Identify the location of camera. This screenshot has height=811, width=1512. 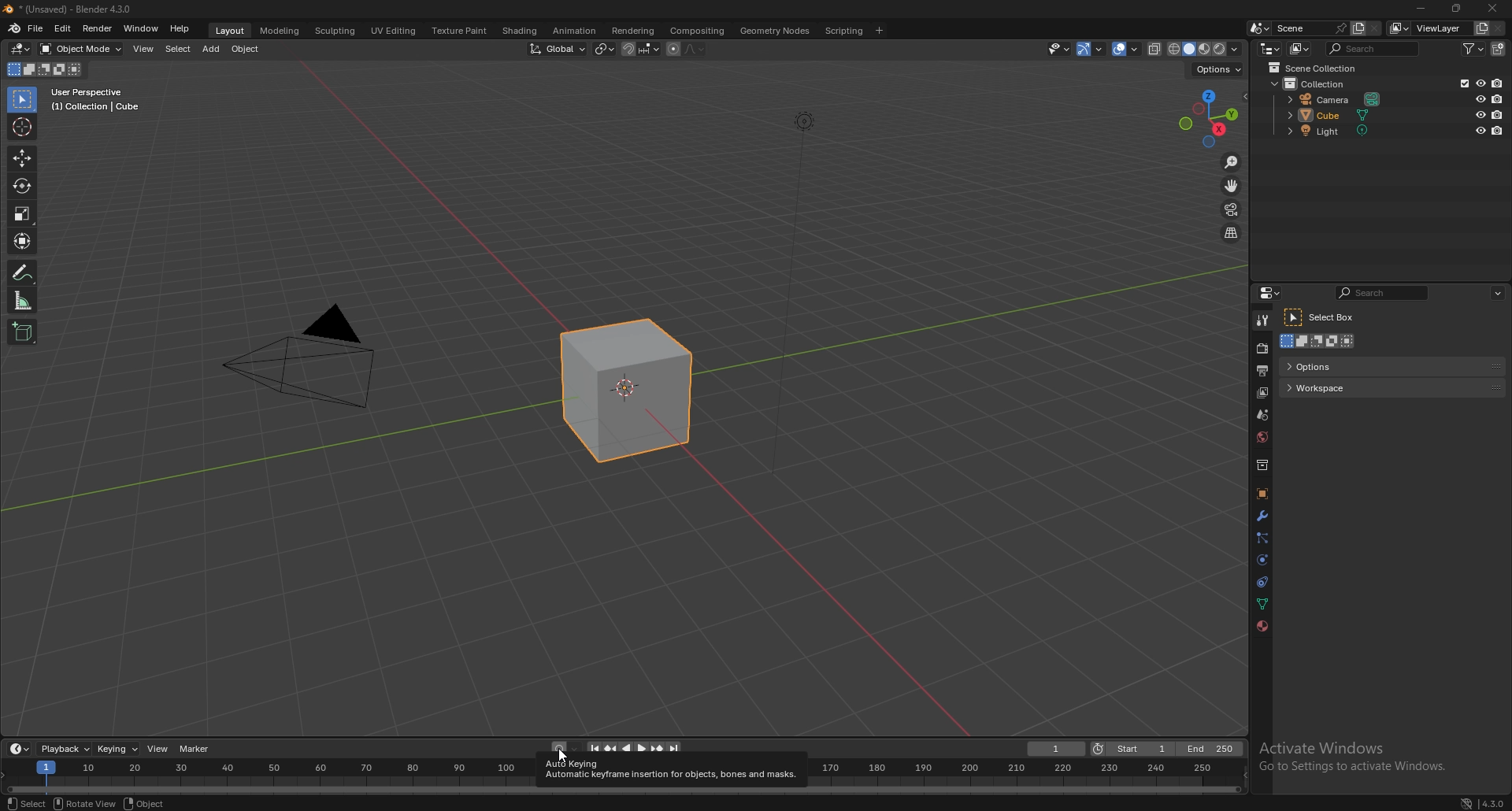
(1337, 98).